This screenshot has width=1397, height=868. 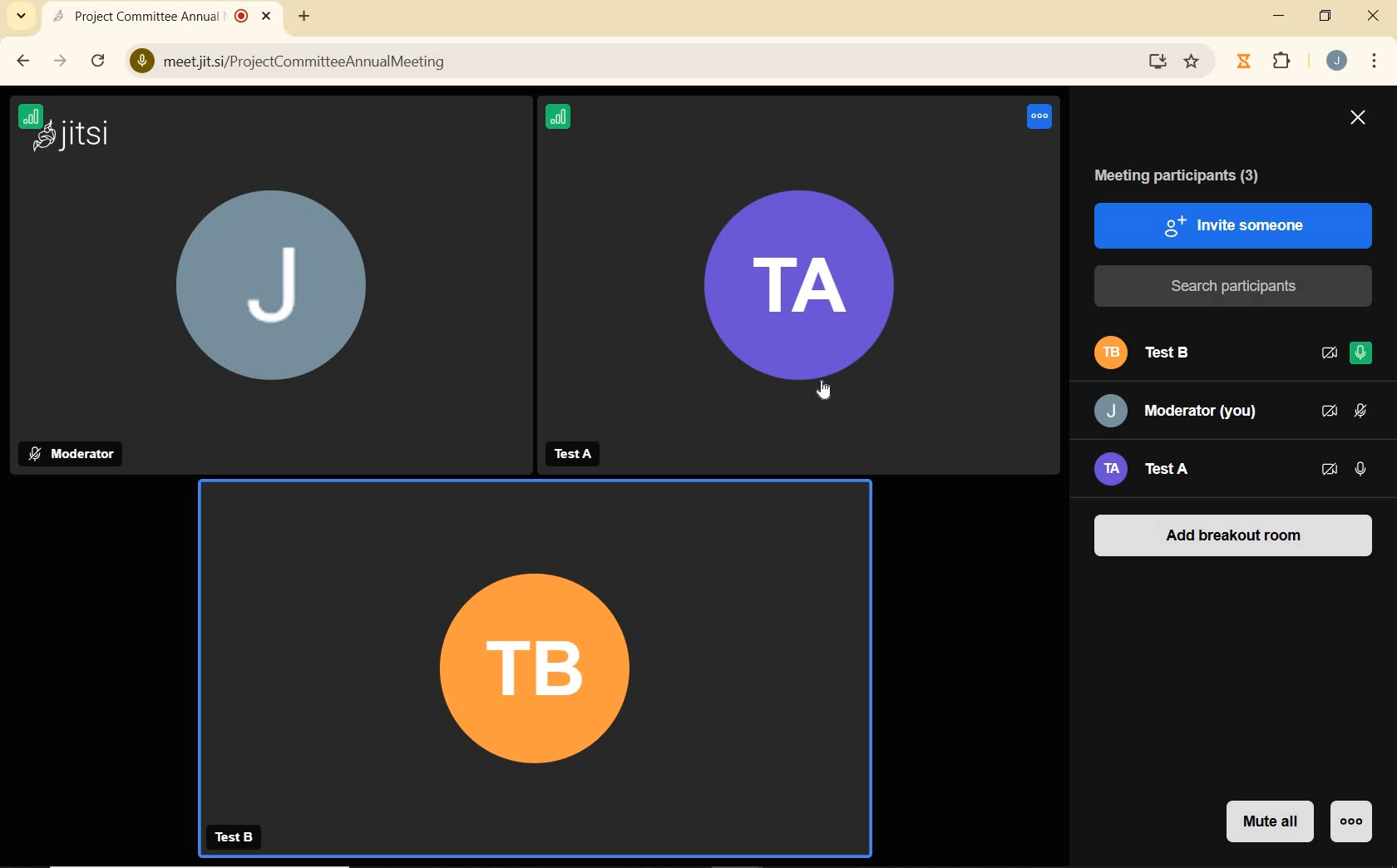 What do you see at coordinates (268, 298) in the screenshot?
I see `moderator camera` at bounding box center [268, 298].